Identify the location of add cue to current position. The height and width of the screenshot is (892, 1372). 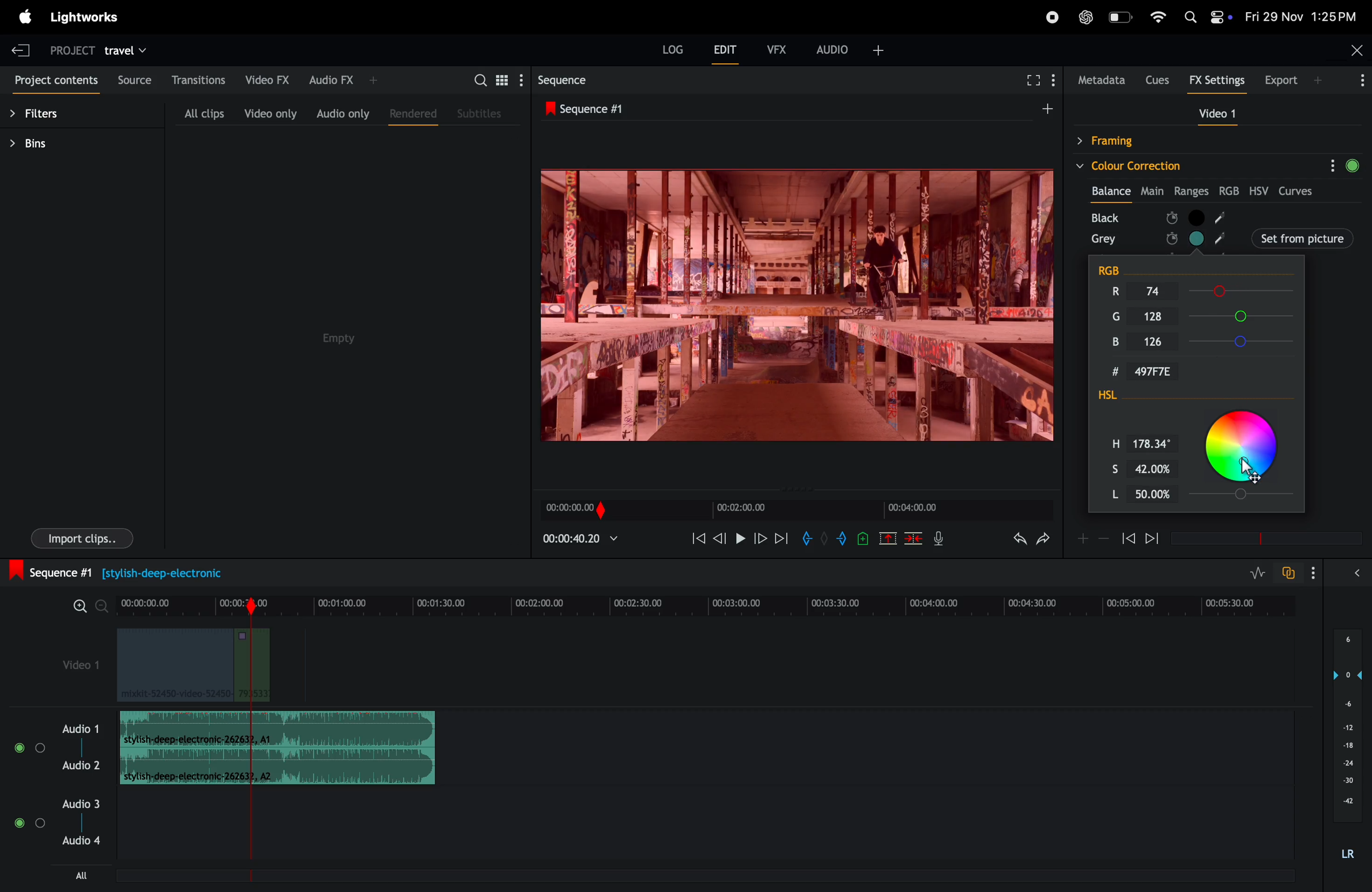
(862, 540).